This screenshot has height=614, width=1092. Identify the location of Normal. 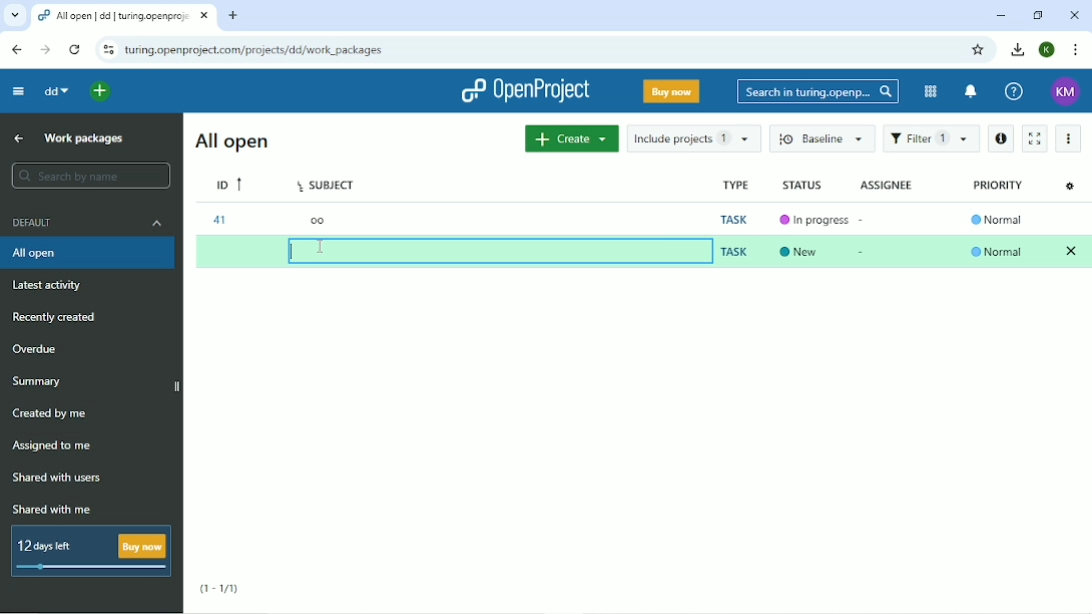
(997, 219).